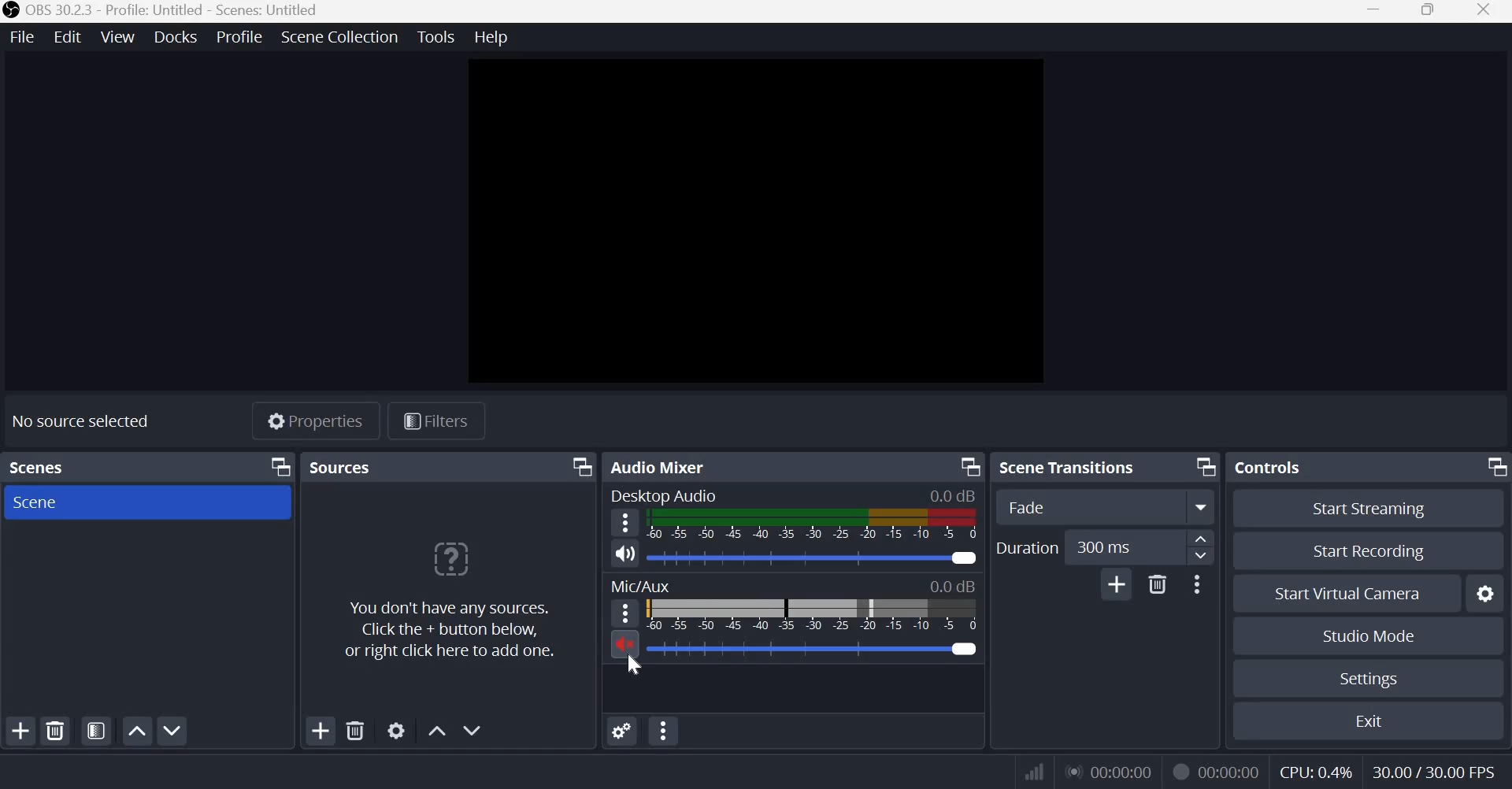 The width and height of the screenshot is (1512, 789). I want to click on Window size toggle, so click(1429, 11).